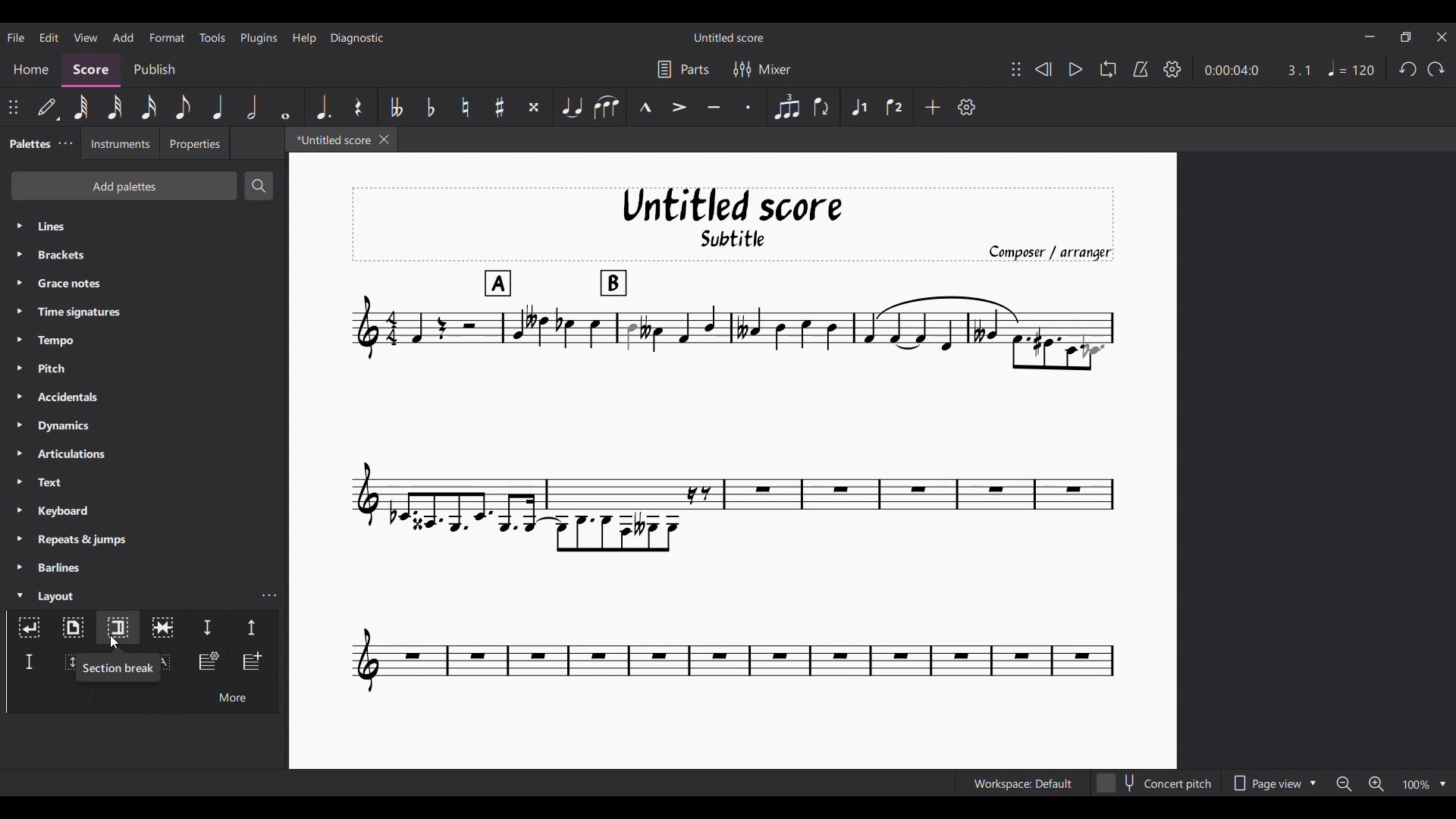 The width and height of the screenshot is (1456, 819). What do you see at coordinates (1075, 69) in the screenshot?
I see `Play` at bounding box center [1075, 69].